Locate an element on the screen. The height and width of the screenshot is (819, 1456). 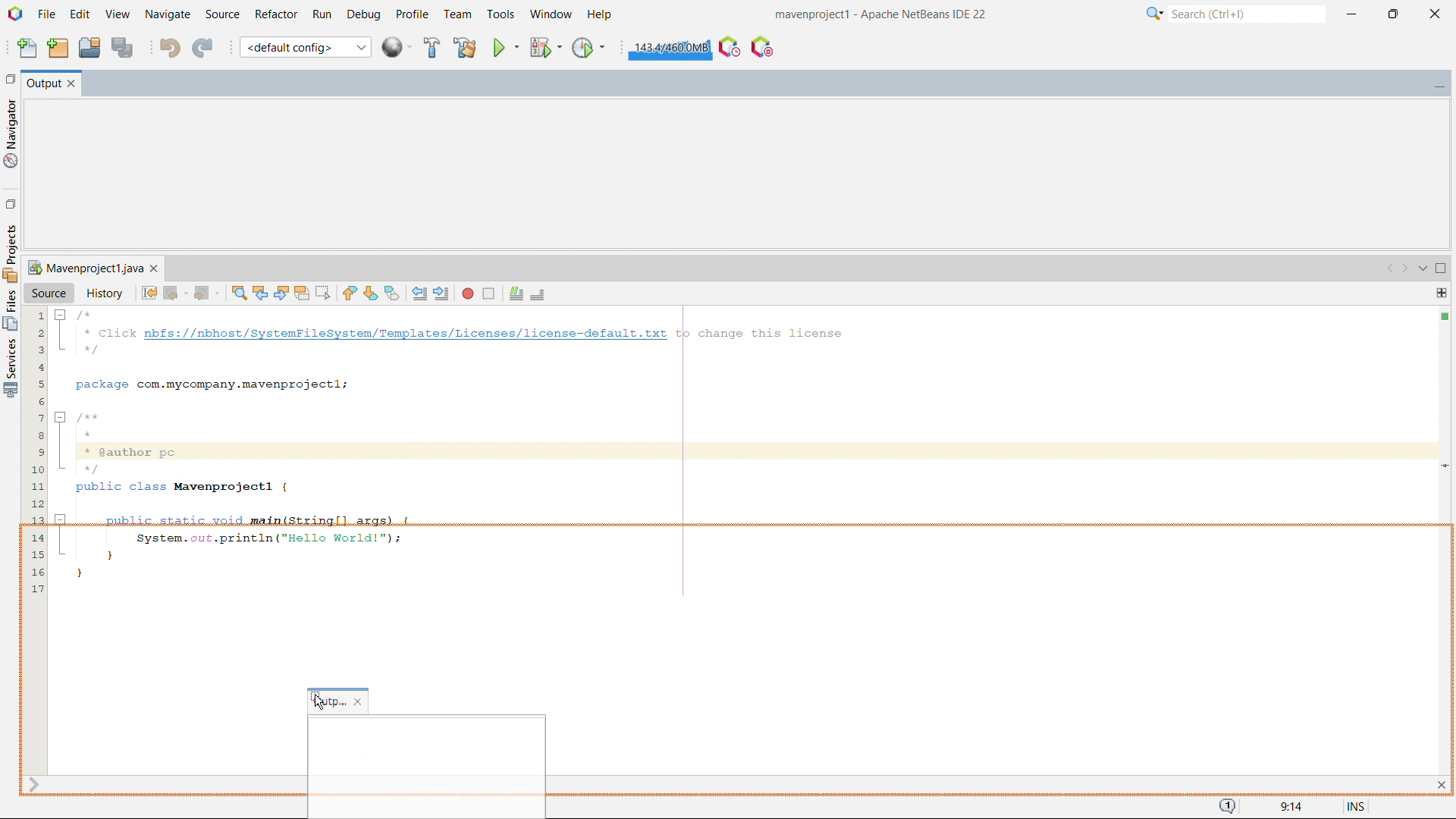
toggle rectangular selection is located at coordinates (323, 293).